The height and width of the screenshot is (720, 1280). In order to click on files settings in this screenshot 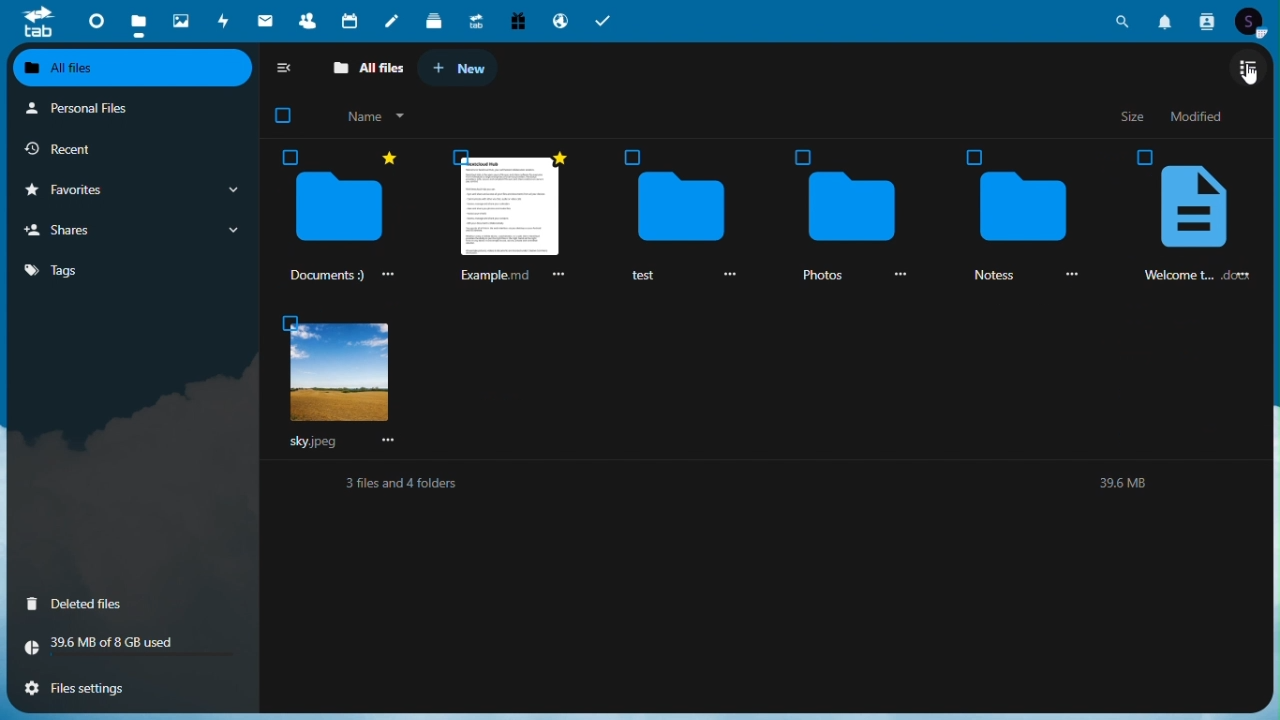, I will do `click(114, 689)`.